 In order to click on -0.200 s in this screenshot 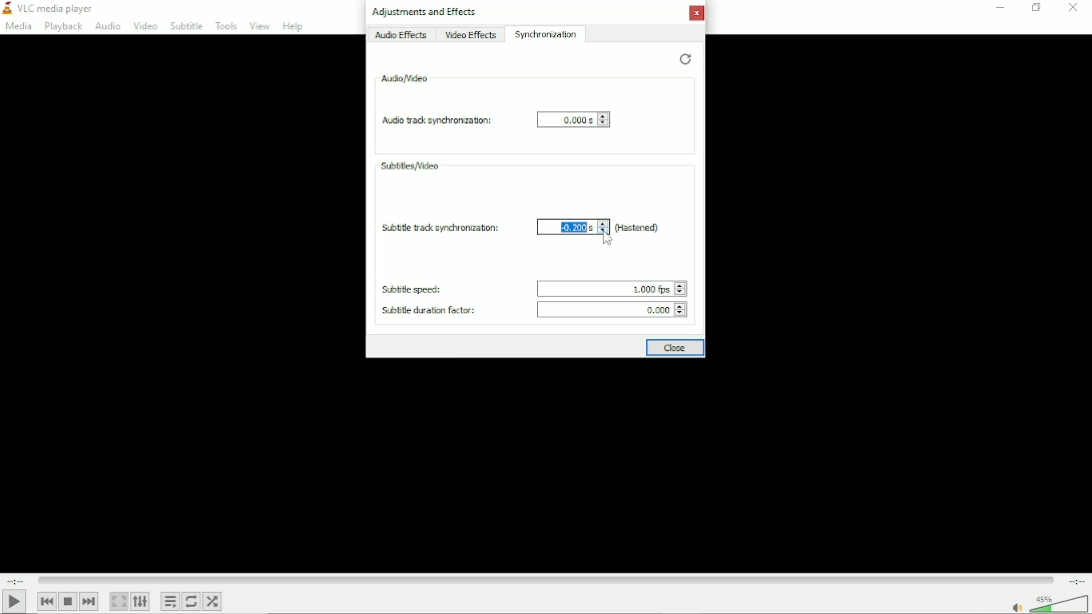, I will do `click(567, 227)`.